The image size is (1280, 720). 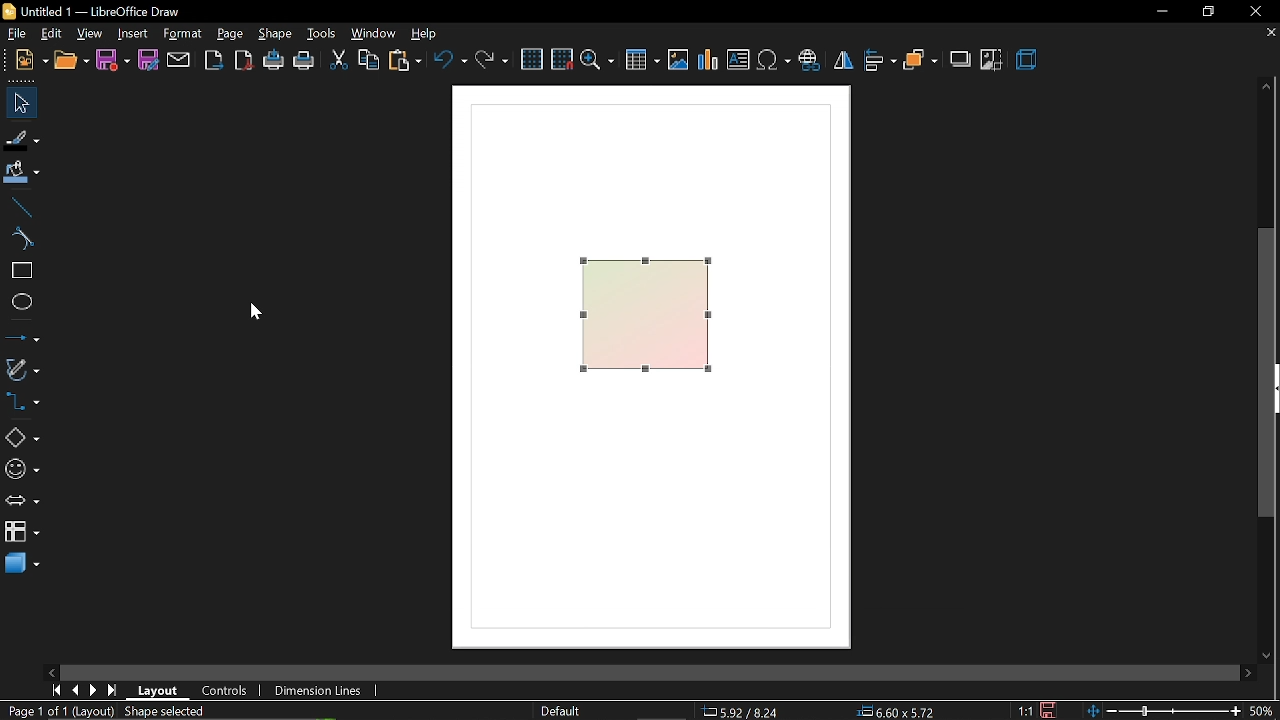 What do you see at coordinates (559, 710) in the screenshot?
I see `page style` at bounding box center [559, 710].